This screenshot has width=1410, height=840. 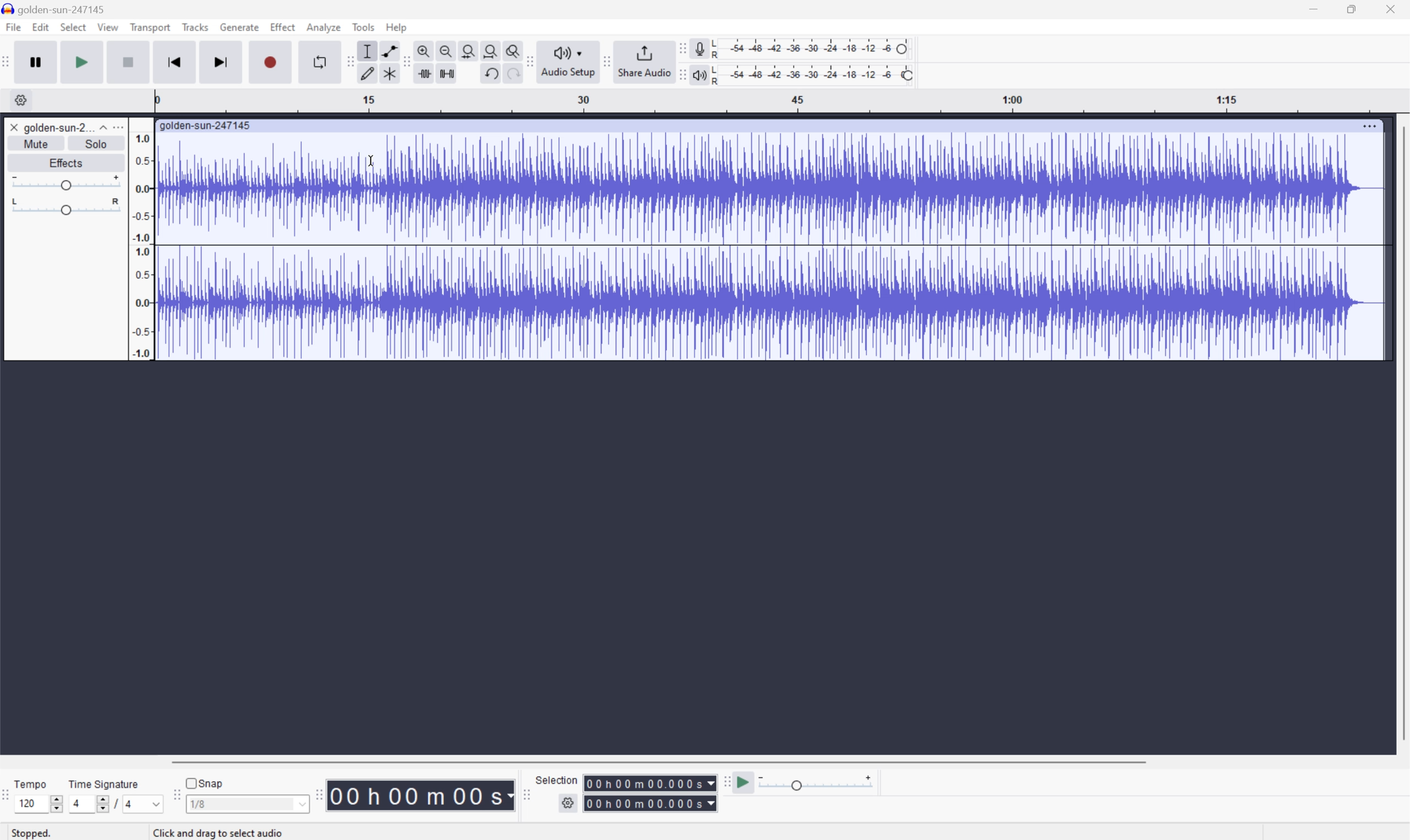 I want to click on Drop Down, so click(x=301, y=806).